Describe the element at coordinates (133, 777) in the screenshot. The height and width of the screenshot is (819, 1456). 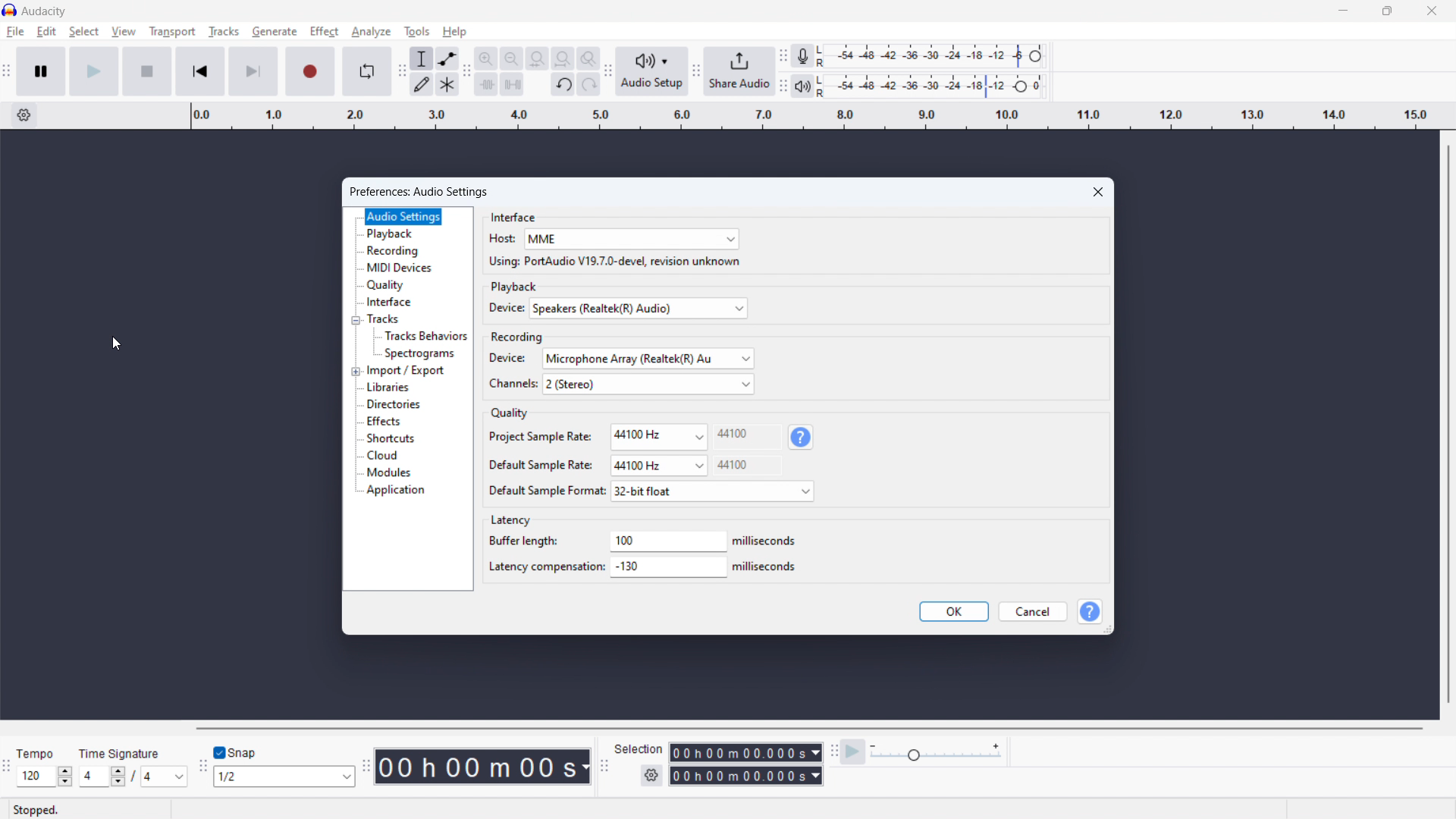
I see `set time signature` at that location.